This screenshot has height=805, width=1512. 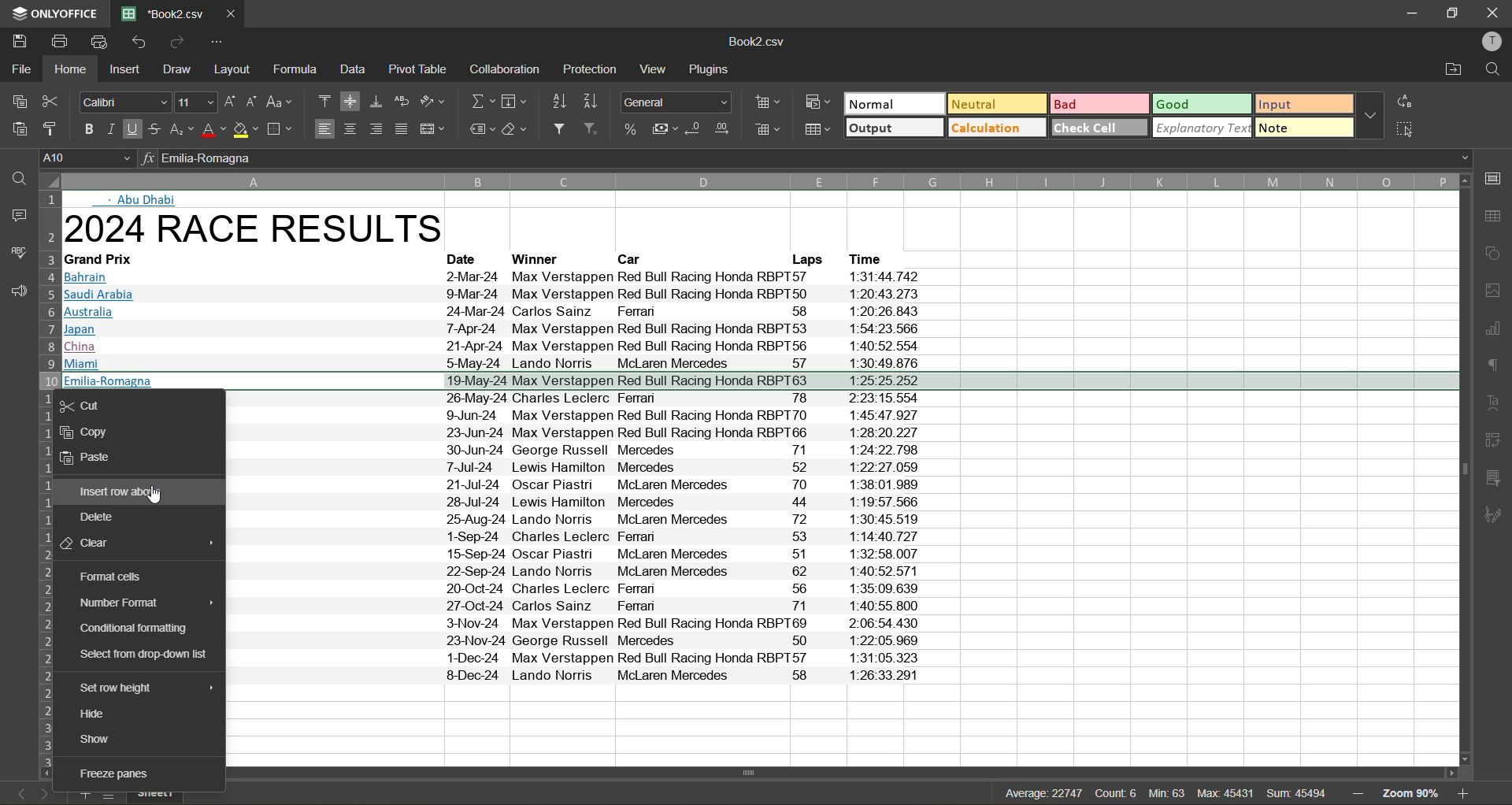 What do you see at coordinates (51, 125) in the screenshot?
I see `copy style` at bounding box center [51, 125].